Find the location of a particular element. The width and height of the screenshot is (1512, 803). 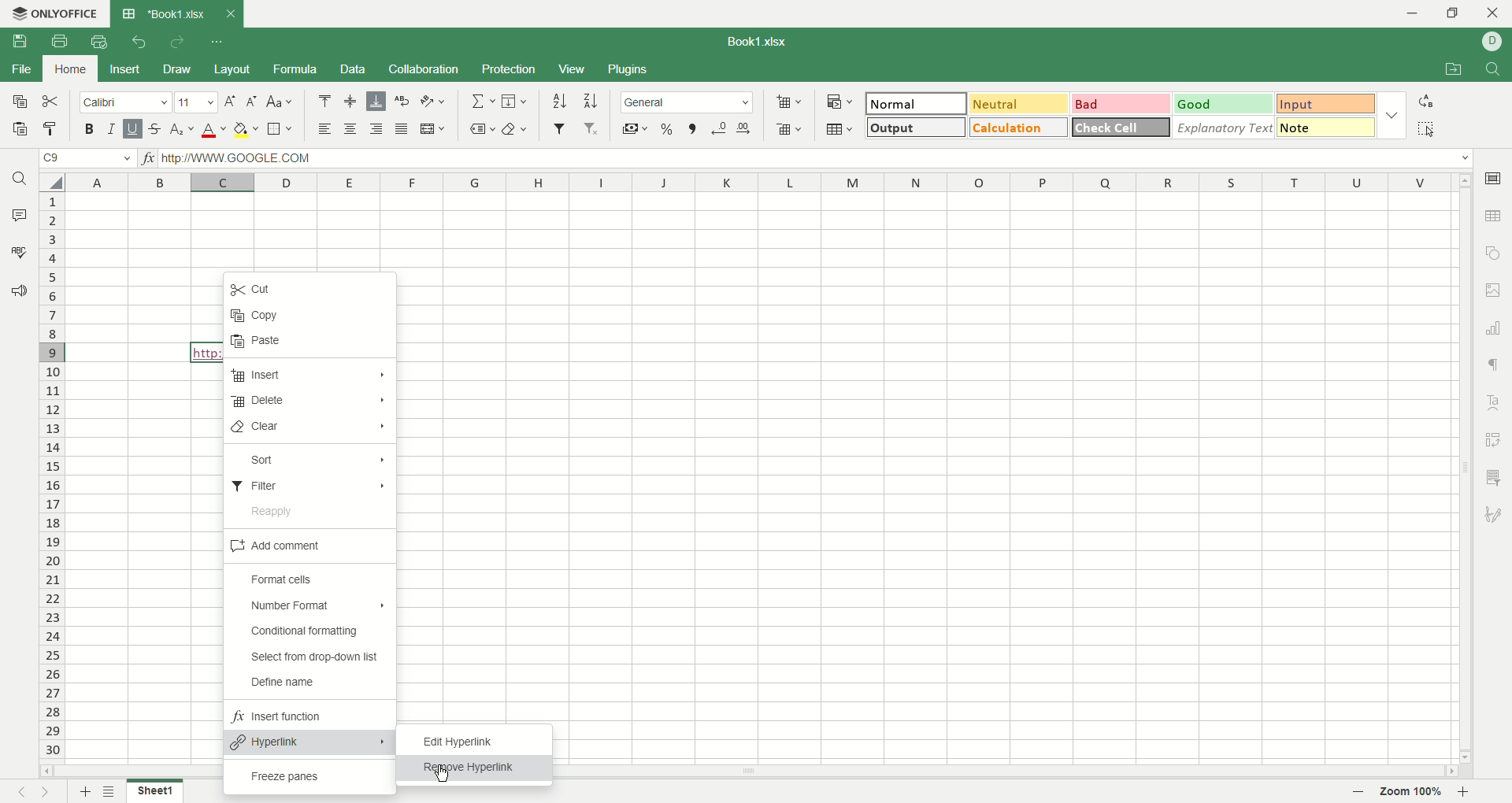

summation is located at coordinates (486, 99).